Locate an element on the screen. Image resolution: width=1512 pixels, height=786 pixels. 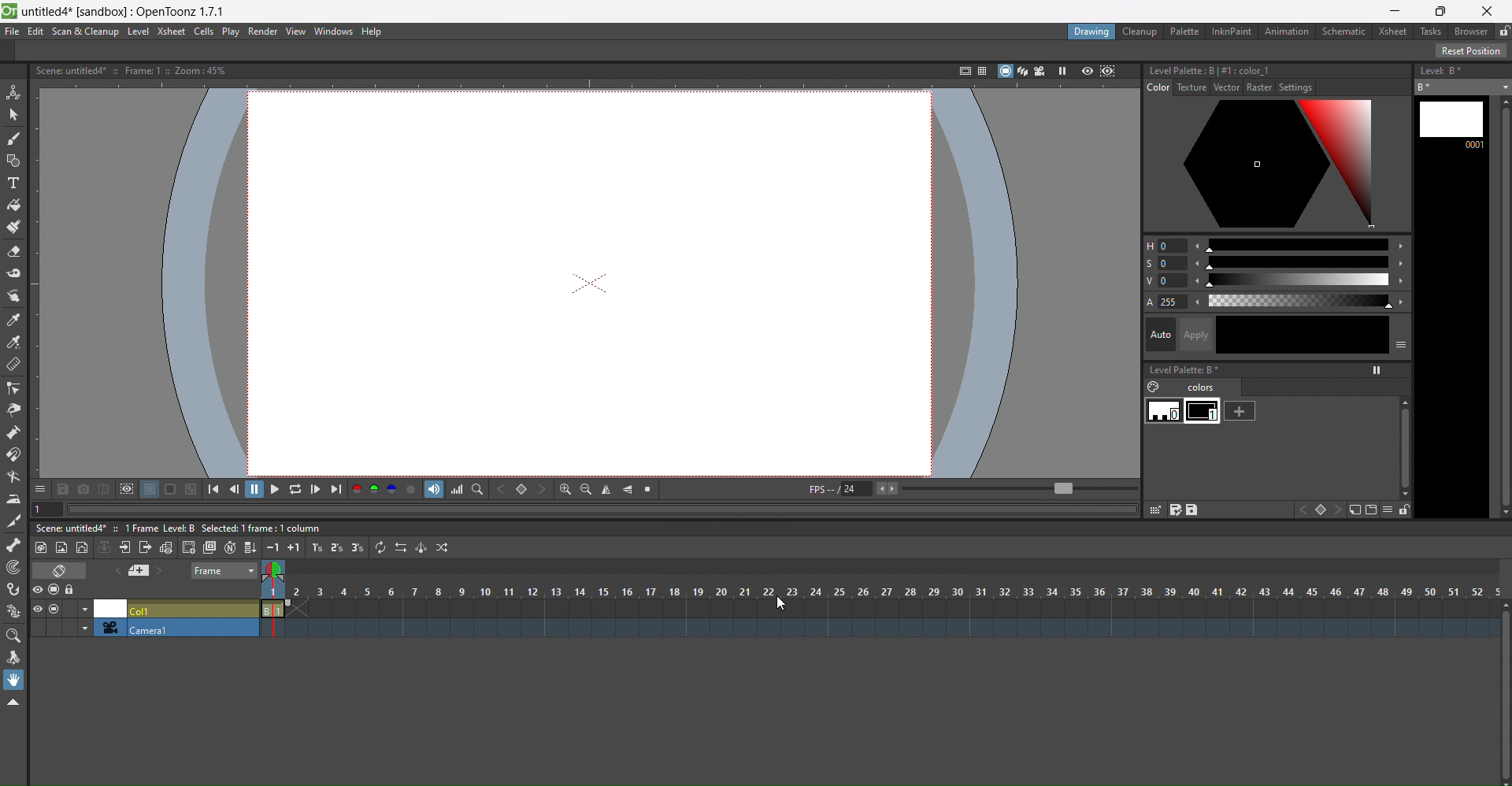
0 is located at coordinates (1169, 263).